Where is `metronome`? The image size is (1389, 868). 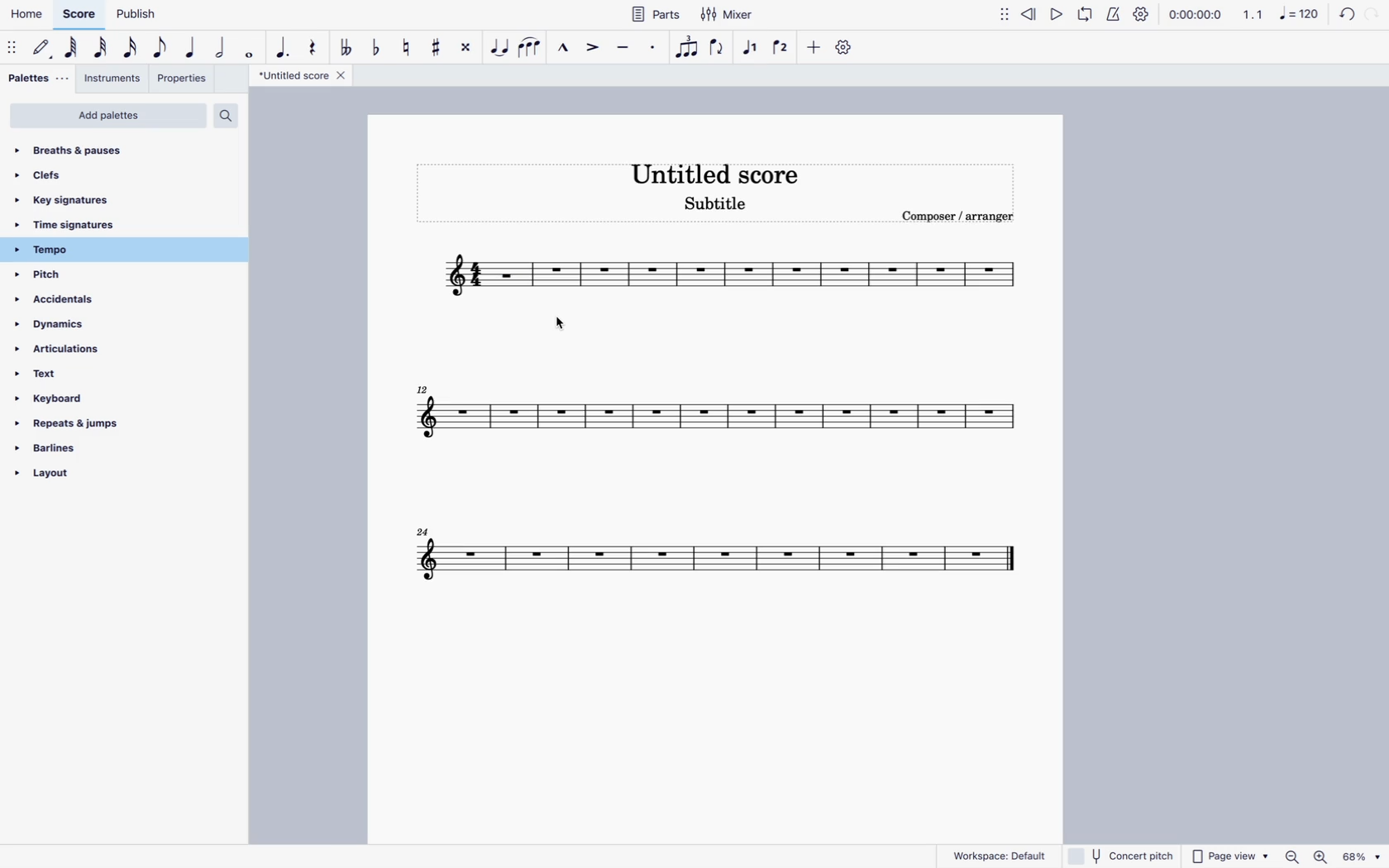
metronome is located at coordinates (1113, 15).